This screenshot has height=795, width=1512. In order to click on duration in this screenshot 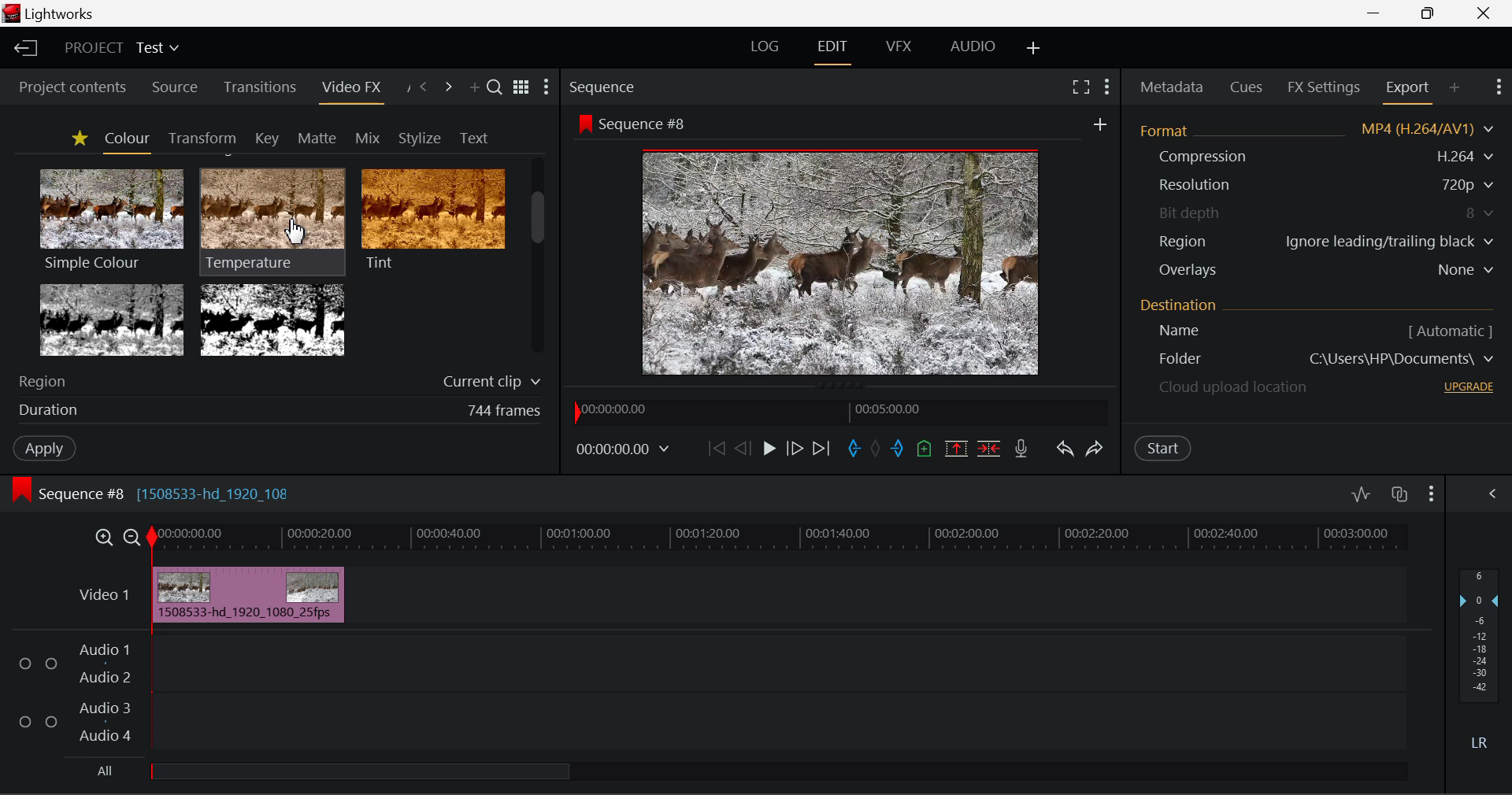, I will do `click(44, 411)`.